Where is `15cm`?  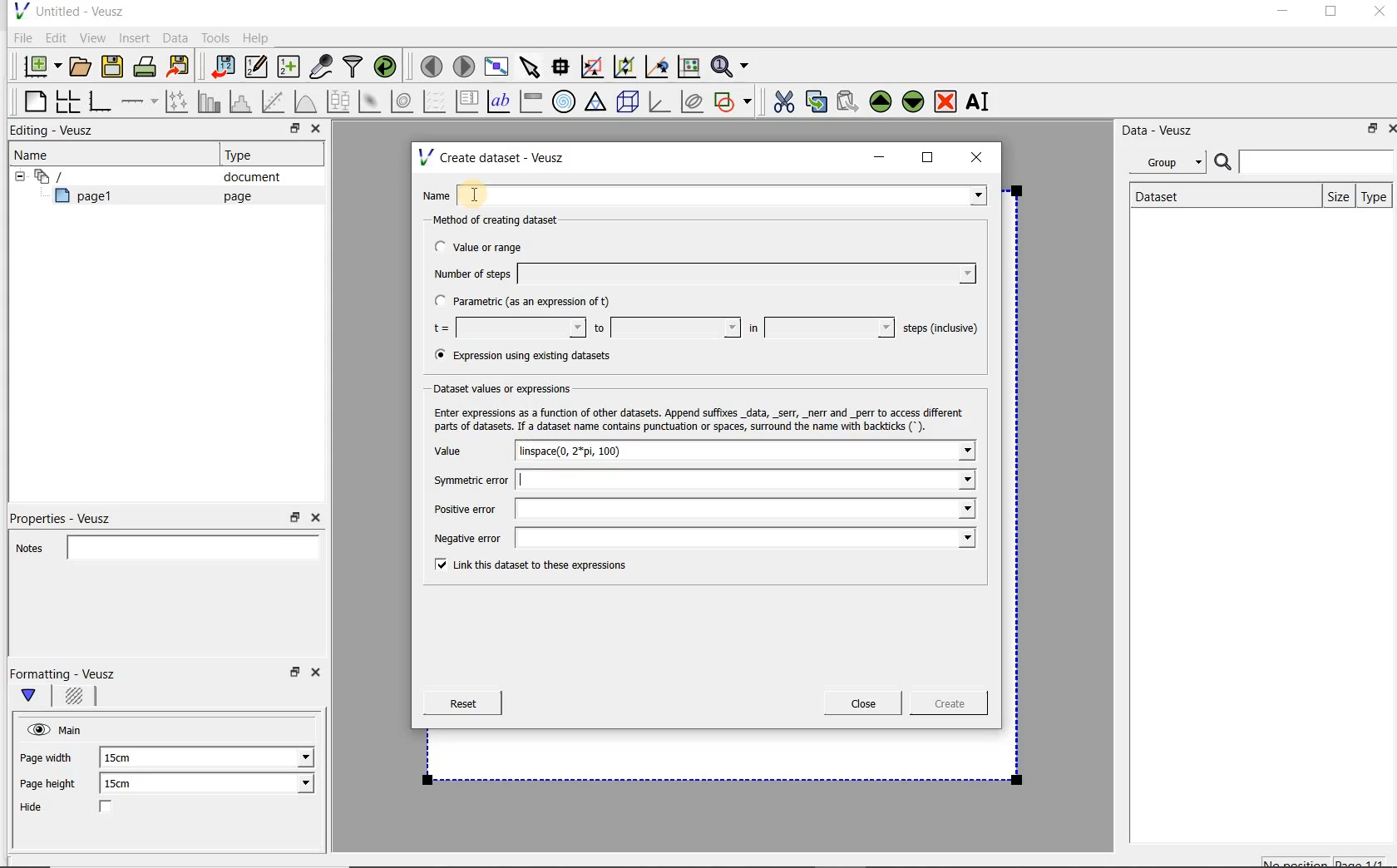 15cm is located at coordinates (126, 758).